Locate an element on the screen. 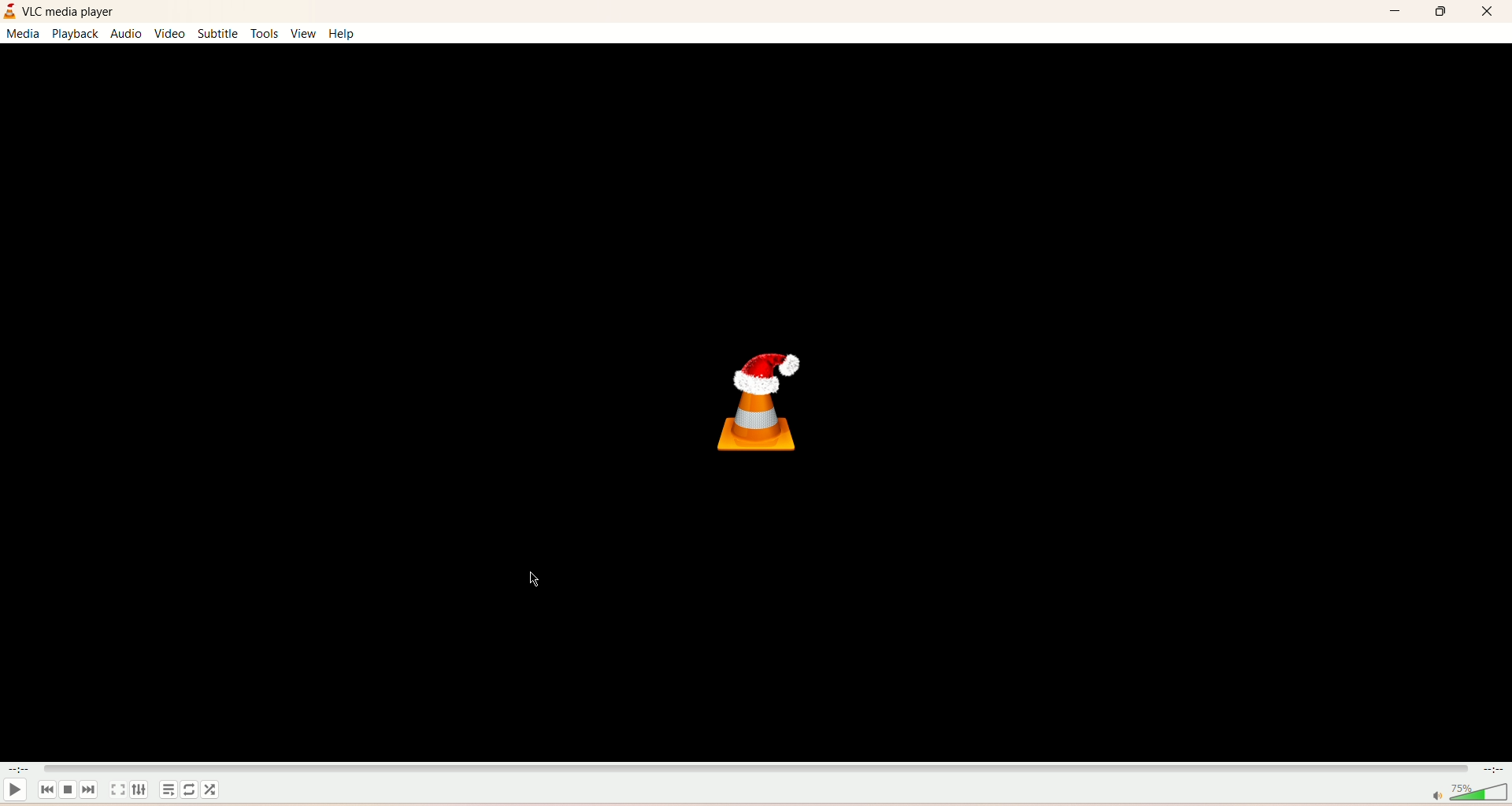 The width and height of the screenshot is (1512, 806). progress bar is located at coordinates (754, 768).